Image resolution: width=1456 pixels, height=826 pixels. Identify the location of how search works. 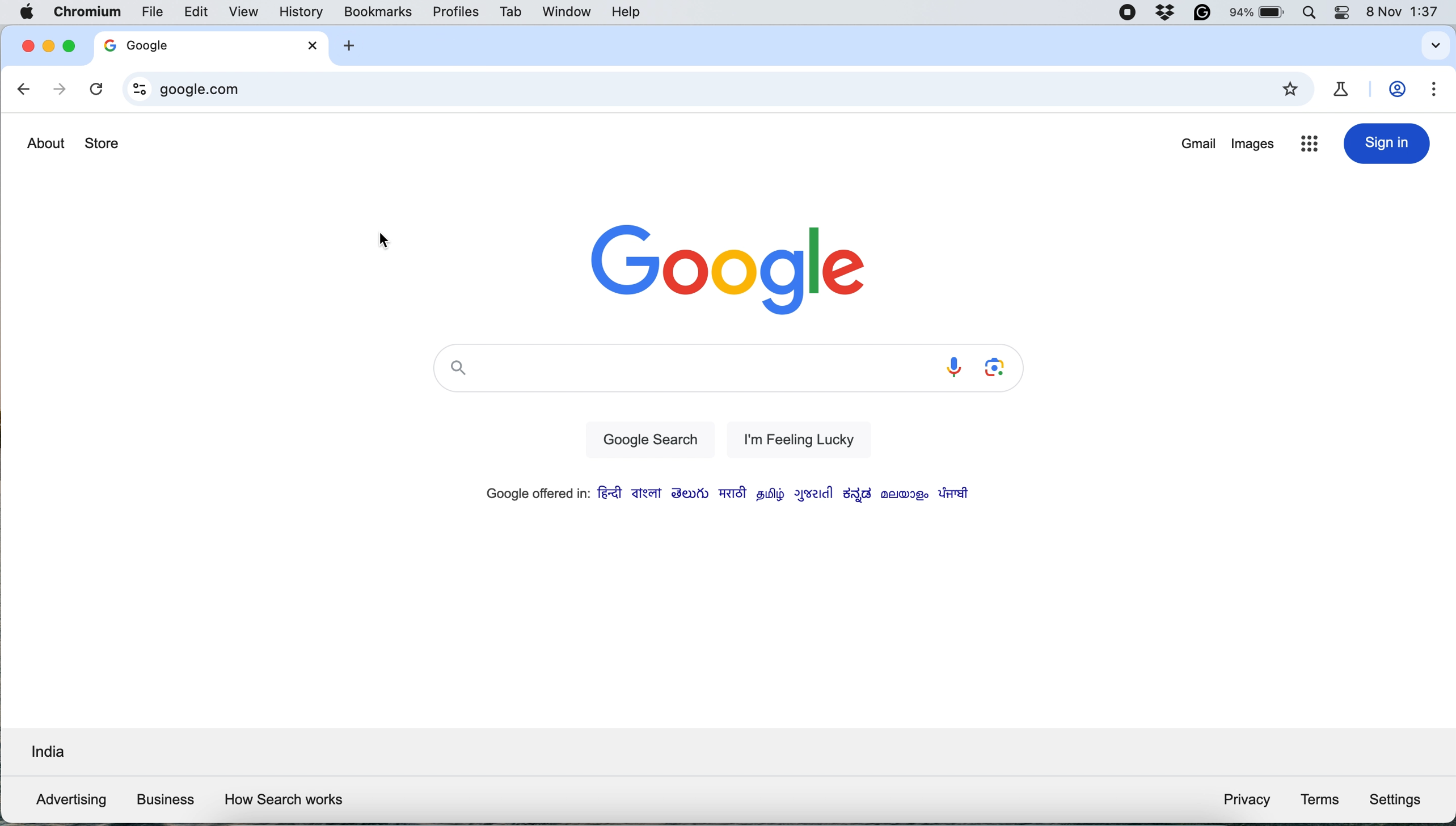
(285, 800).